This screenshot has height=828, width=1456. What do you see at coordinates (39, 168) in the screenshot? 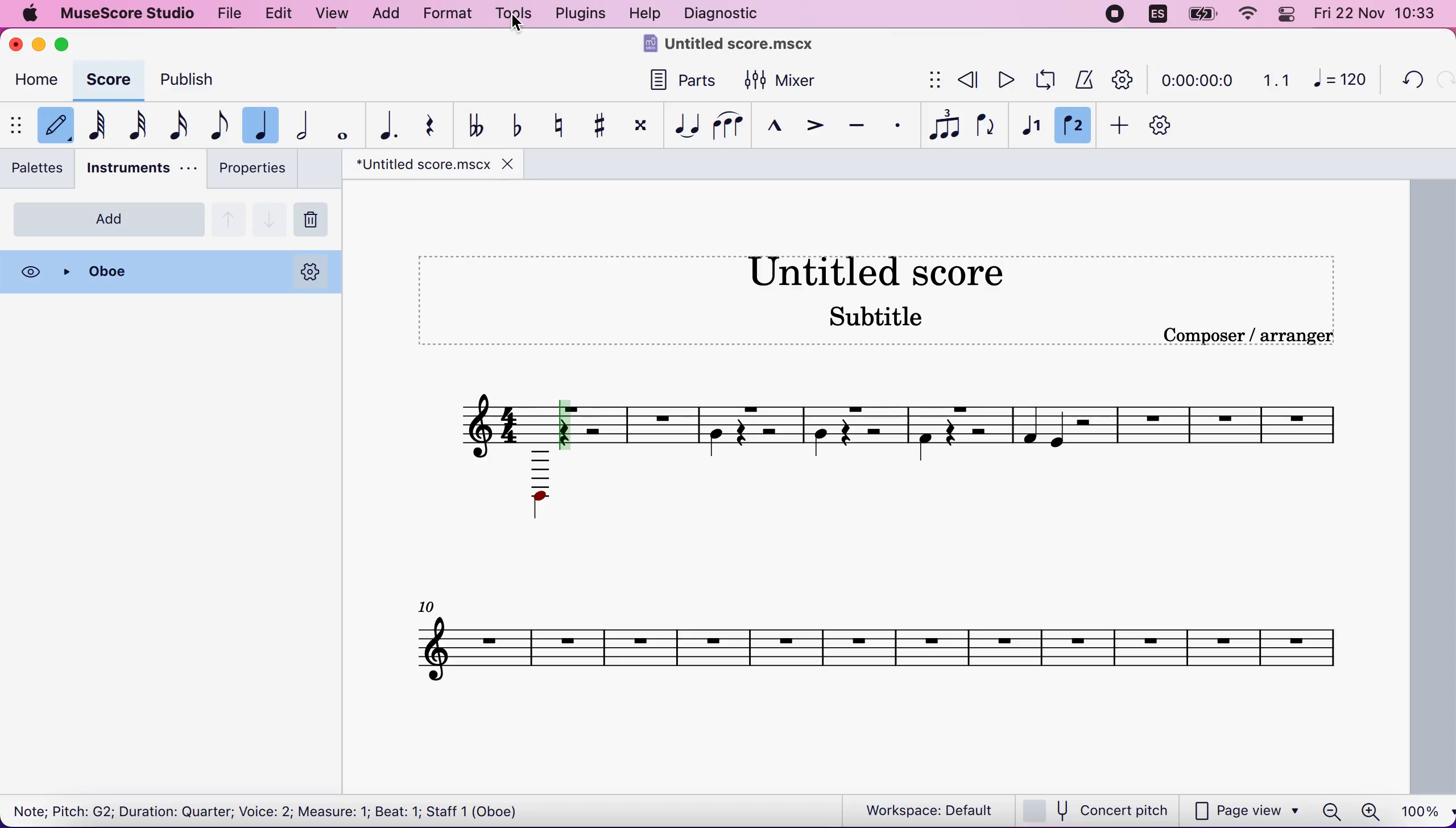
I see `palettes` at bounding box center [39, 168].